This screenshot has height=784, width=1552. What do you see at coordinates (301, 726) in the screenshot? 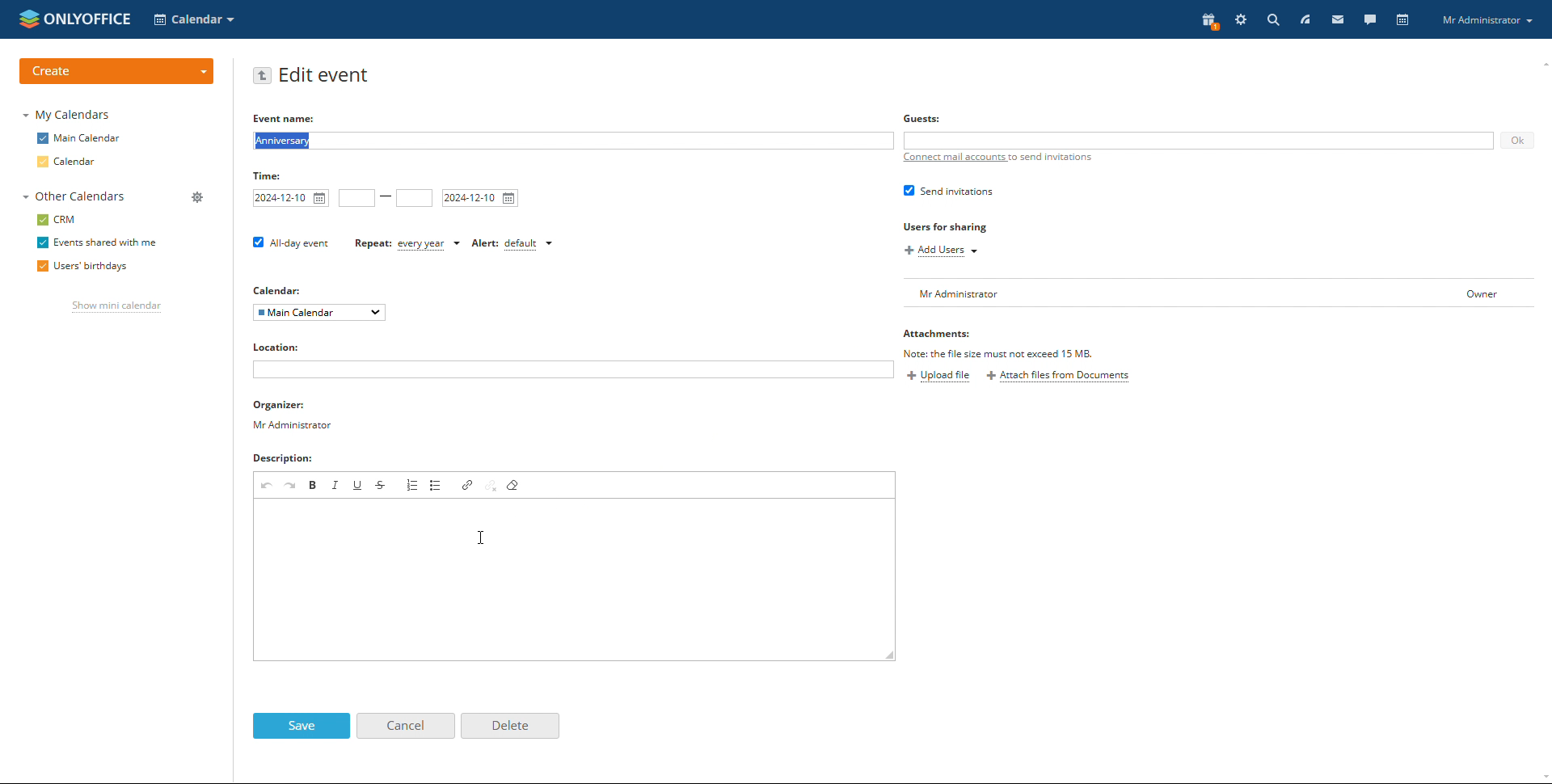
I see `save` at bounding box center [301, 726].